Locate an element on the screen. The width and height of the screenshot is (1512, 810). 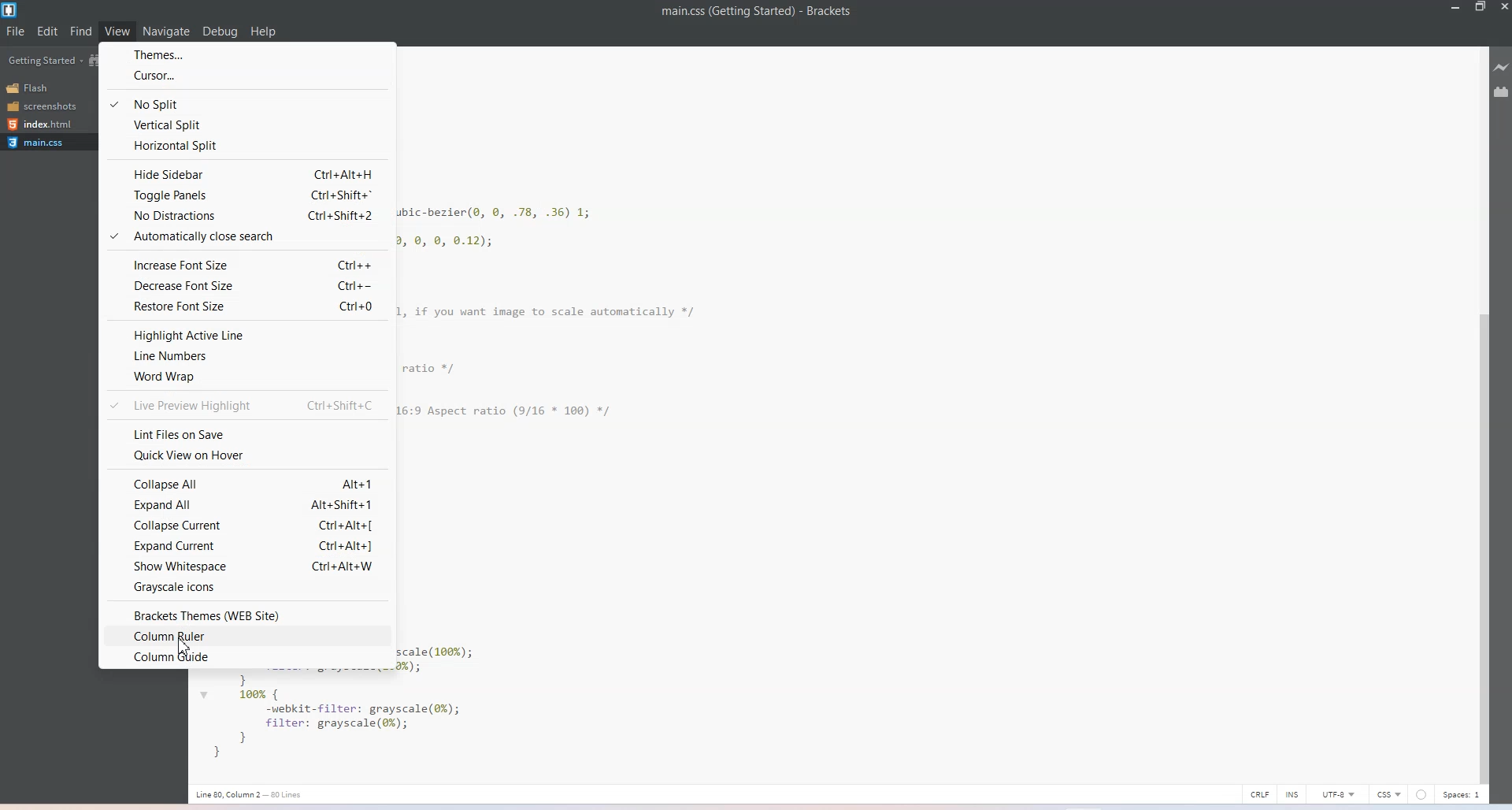
File is located at coordinates (15, 31).